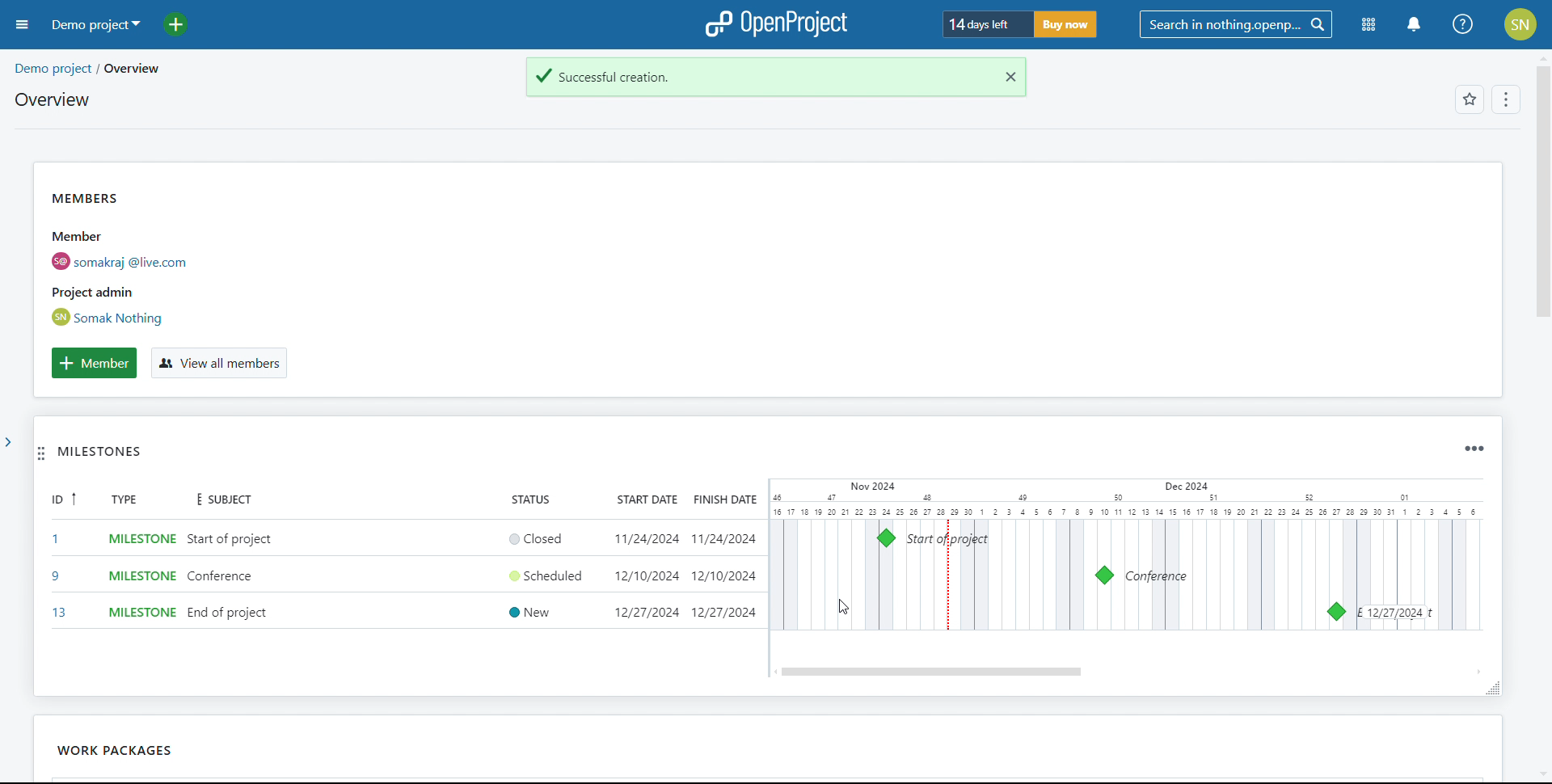  Describe the element at coordinates (226, 502) in the screenshot. I see `subject` at that location.